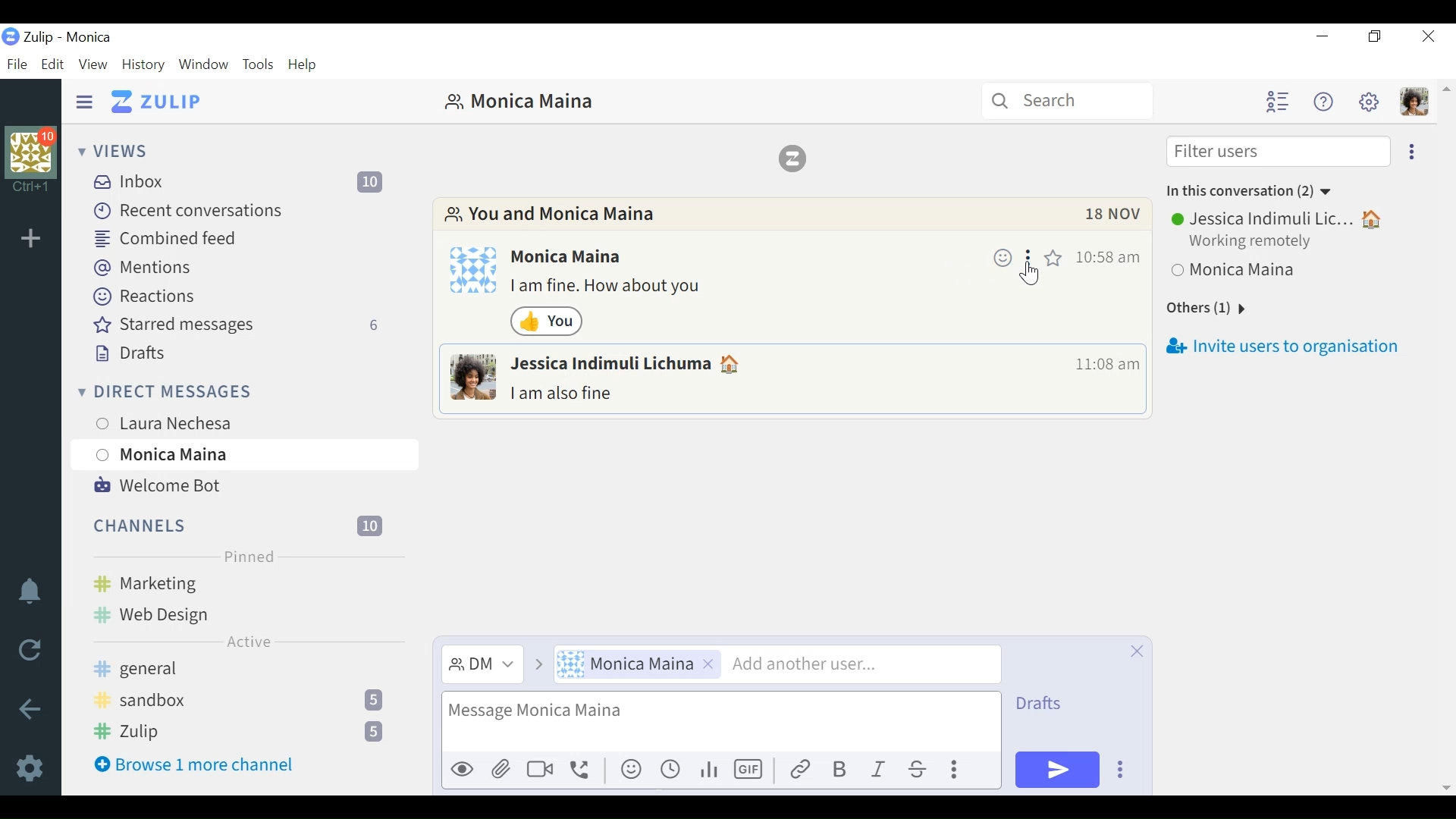 Image resolution: width=1456 pixels, height=819 pixels. What do you see at coordinates (553, 215) in the screenshot?
I see `You and Monica Maina` at bounding box center [553, 215].